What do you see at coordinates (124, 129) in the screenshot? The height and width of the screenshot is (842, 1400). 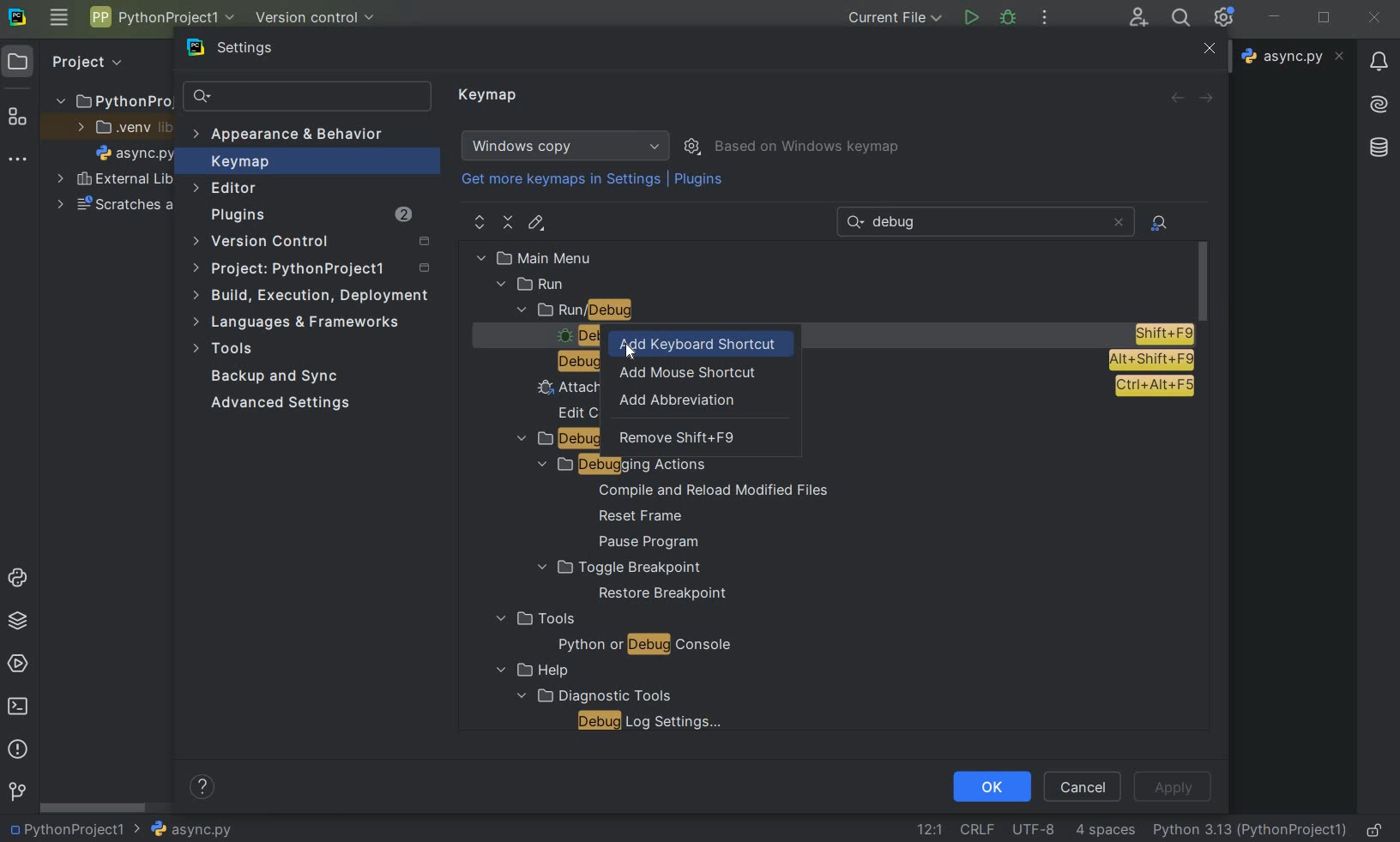 I see `.venv` at bounding box center [124, 129].